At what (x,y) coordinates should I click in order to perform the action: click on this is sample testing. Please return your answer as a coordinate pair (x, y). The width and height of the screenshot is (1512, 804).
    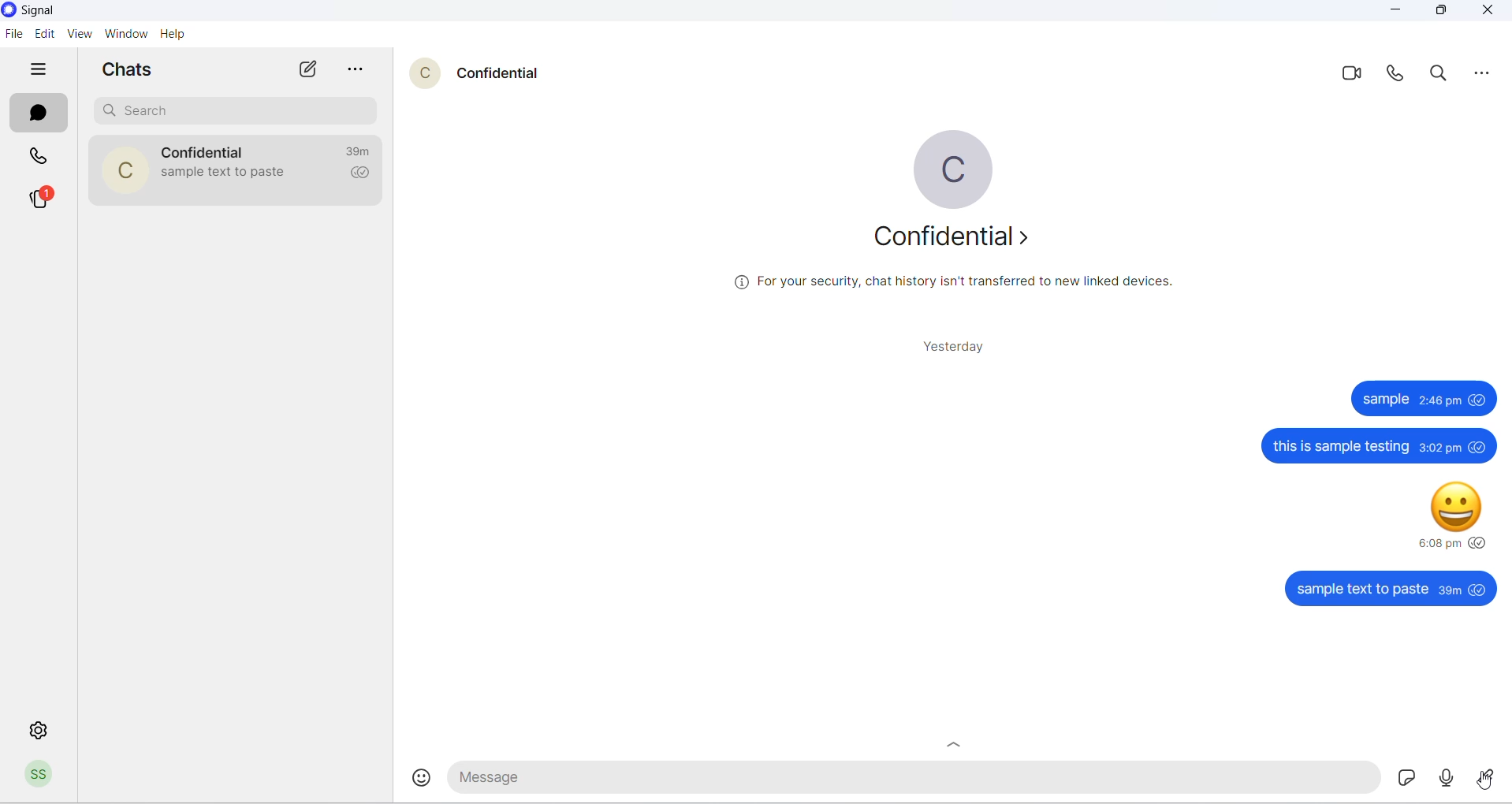
    Looking at the image, I should click on (1341, 447).